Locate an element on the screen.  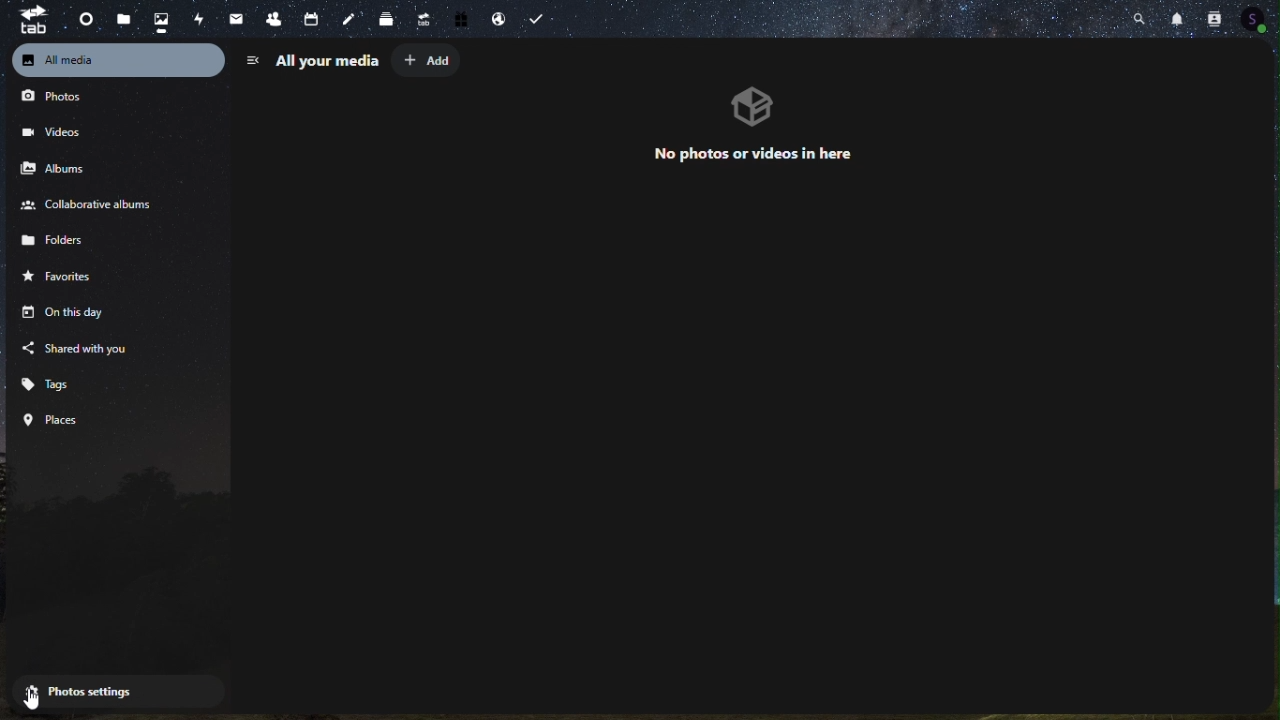
places is located at coordinates (55, 419).